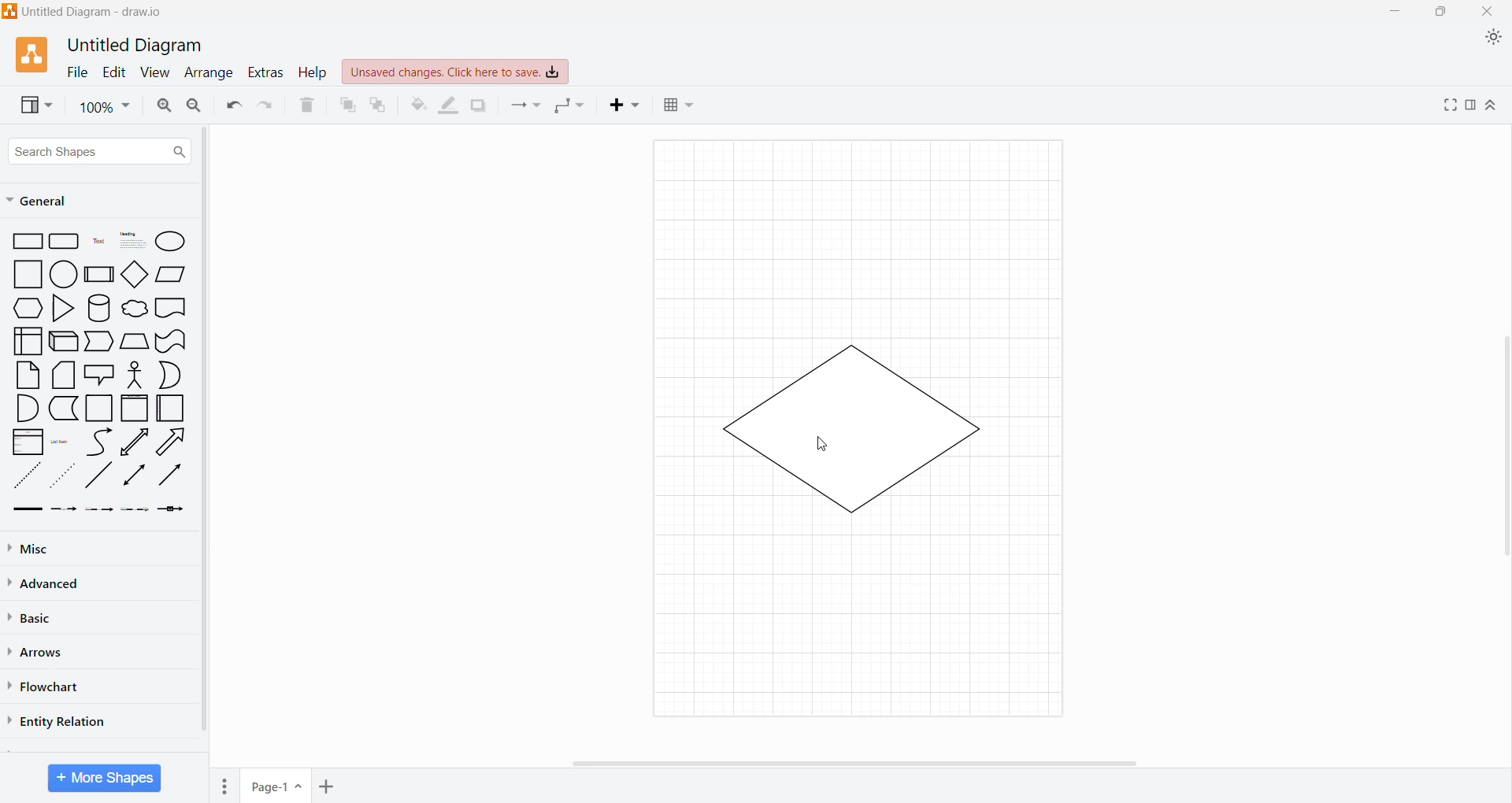  What do you see at coordinates (174, 444) in the screenshot?
I see `Arrow` at bounding box center [174, 444].